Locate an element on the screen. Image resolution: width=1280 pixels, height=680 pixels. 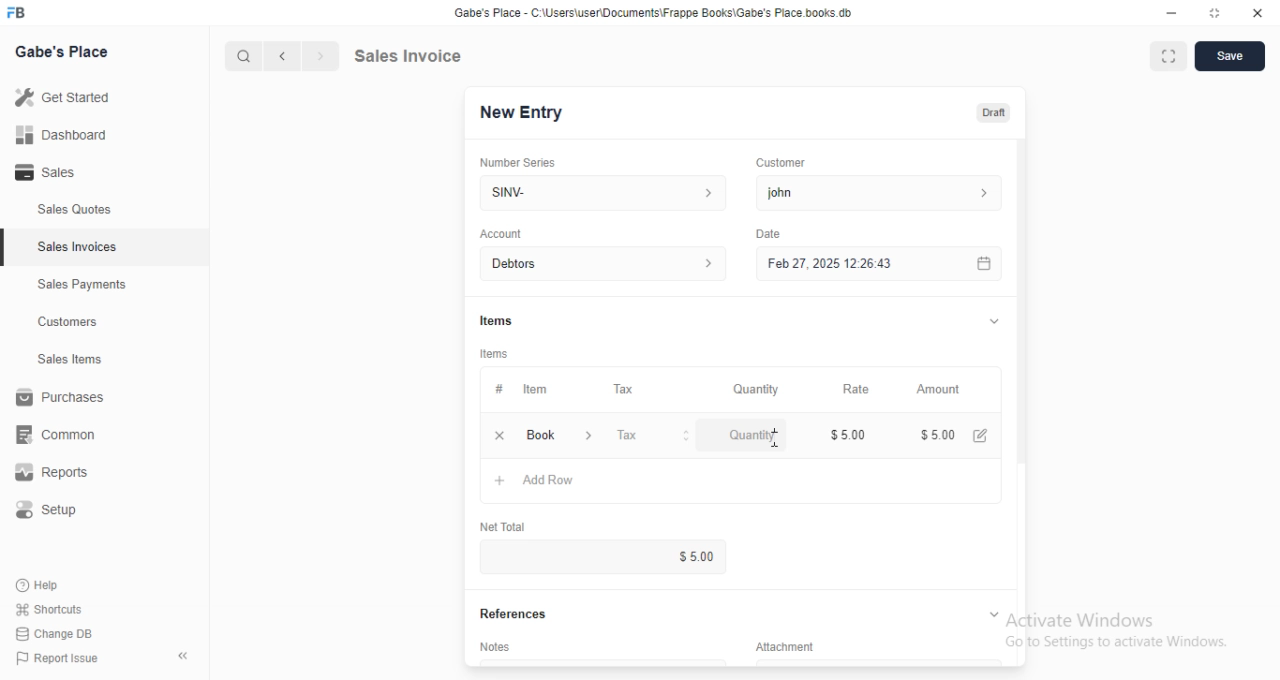
Expand is located at coordinates (1215, 14).